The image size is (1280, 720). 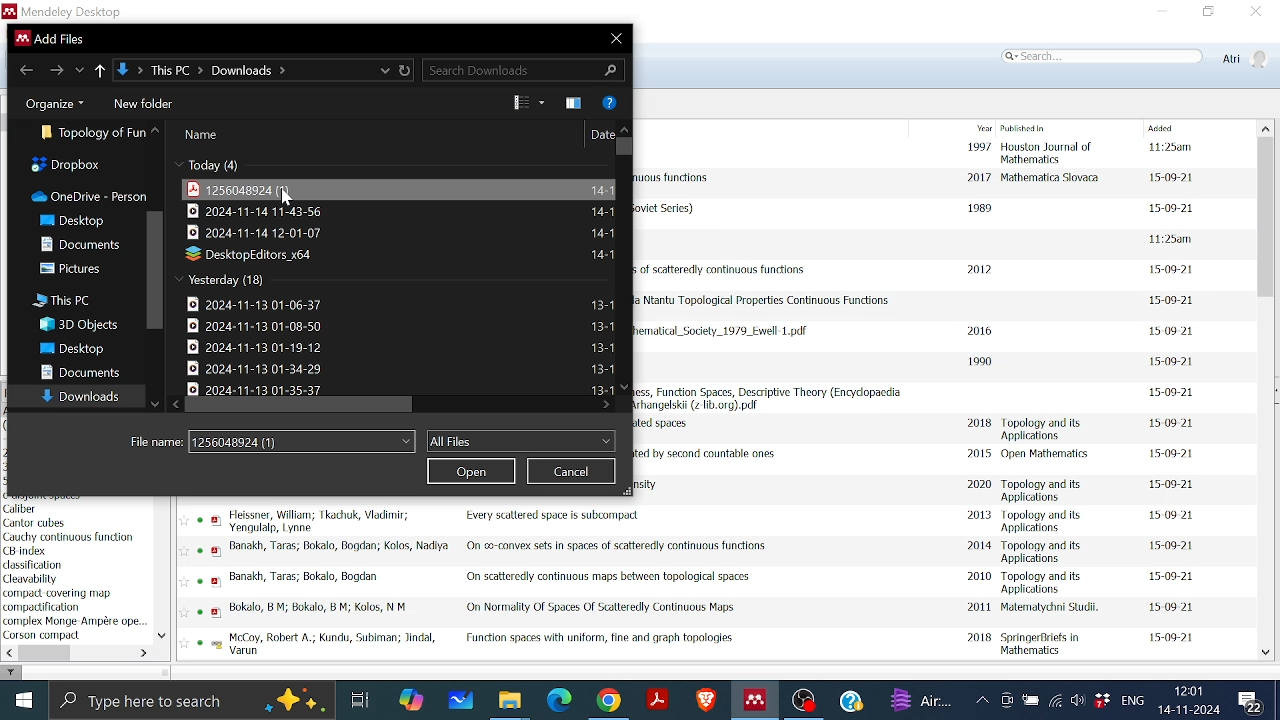 What do you see at coordinates (154, 401) in the screenshot?
I see `Move down all folders` at bounding box center [154, 401].